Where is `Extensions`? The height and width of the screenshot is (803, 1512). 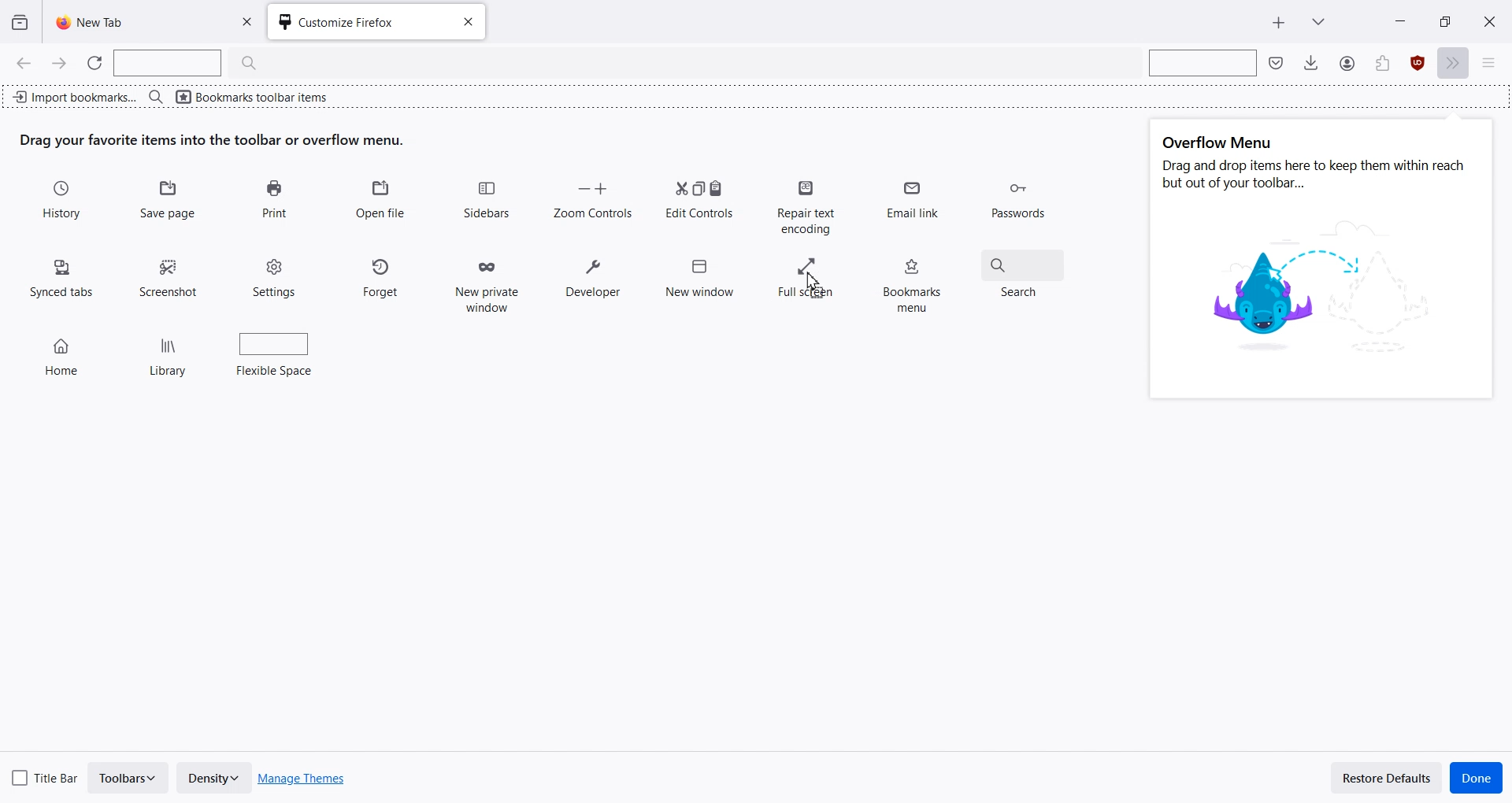
Extensions is located at coordinates (1418, 64).